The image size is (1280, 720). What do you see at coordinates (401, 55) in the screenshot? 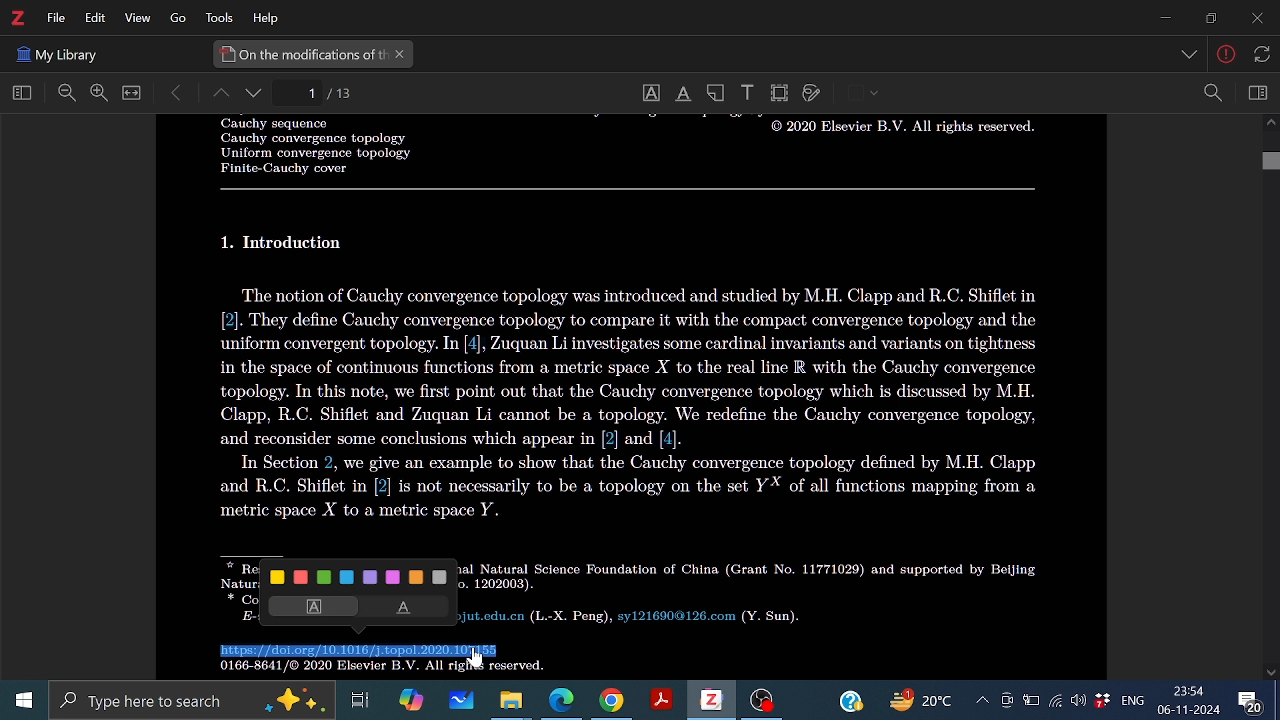
I see `Close current tab` at bounding box center [401, 55].